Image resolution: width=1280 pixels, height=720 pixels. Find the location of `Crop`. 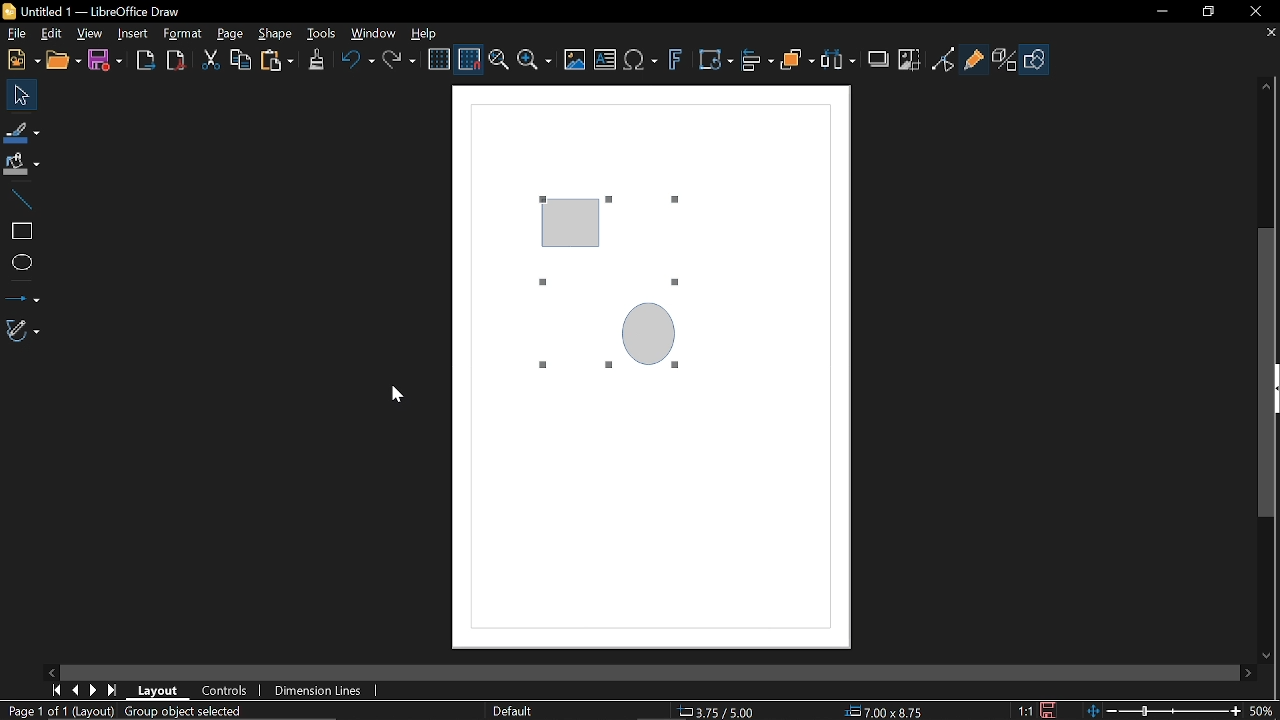

Crop is located at coordinates (909, 61).